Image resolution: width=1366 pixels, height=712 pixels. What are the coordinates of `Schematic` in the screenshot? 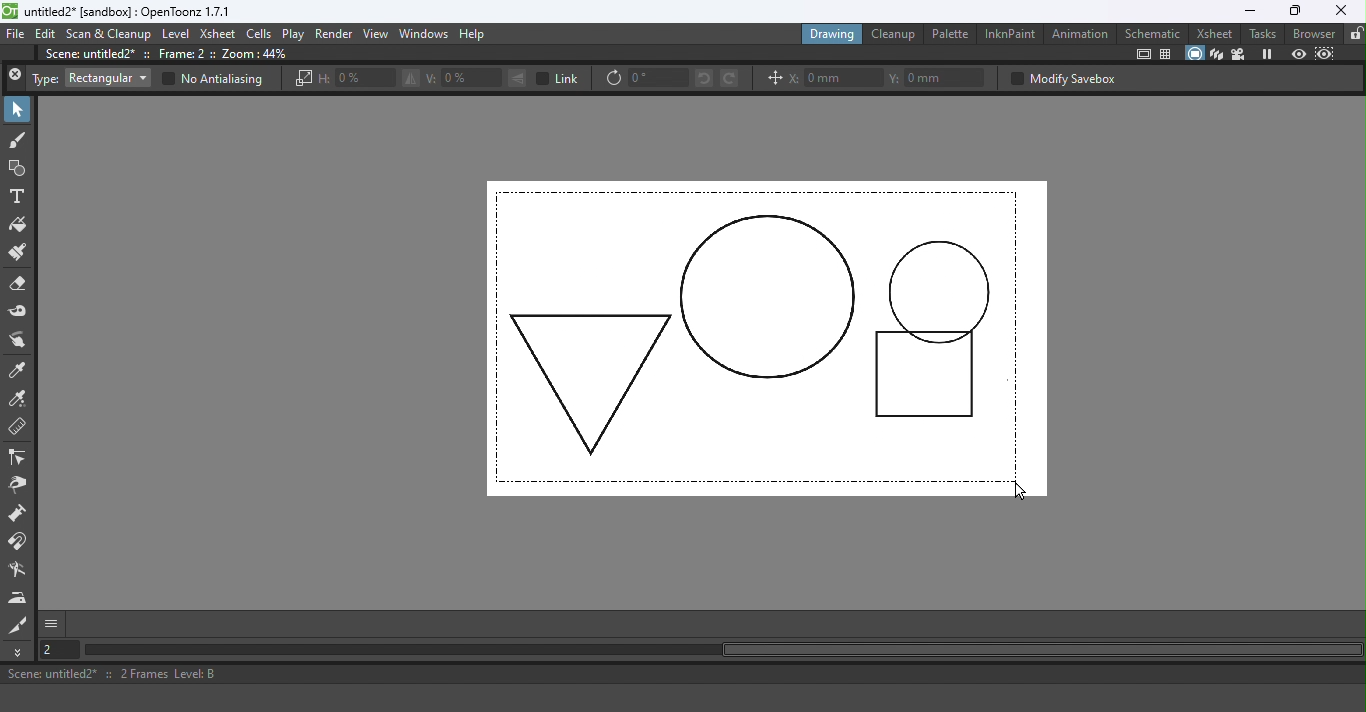 It's located at (1154, 32).